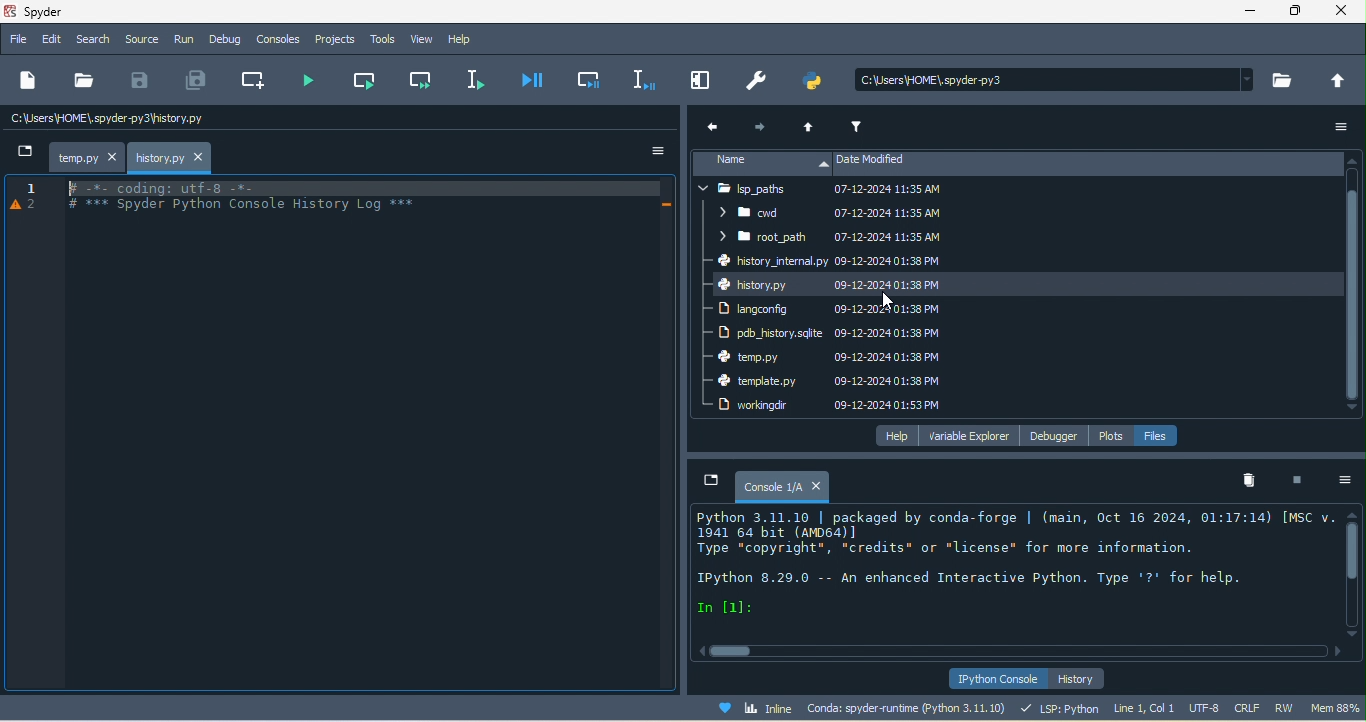  Describe the element at coordinates (1251, 707) in the screenshot. I see `crlf` at that location.